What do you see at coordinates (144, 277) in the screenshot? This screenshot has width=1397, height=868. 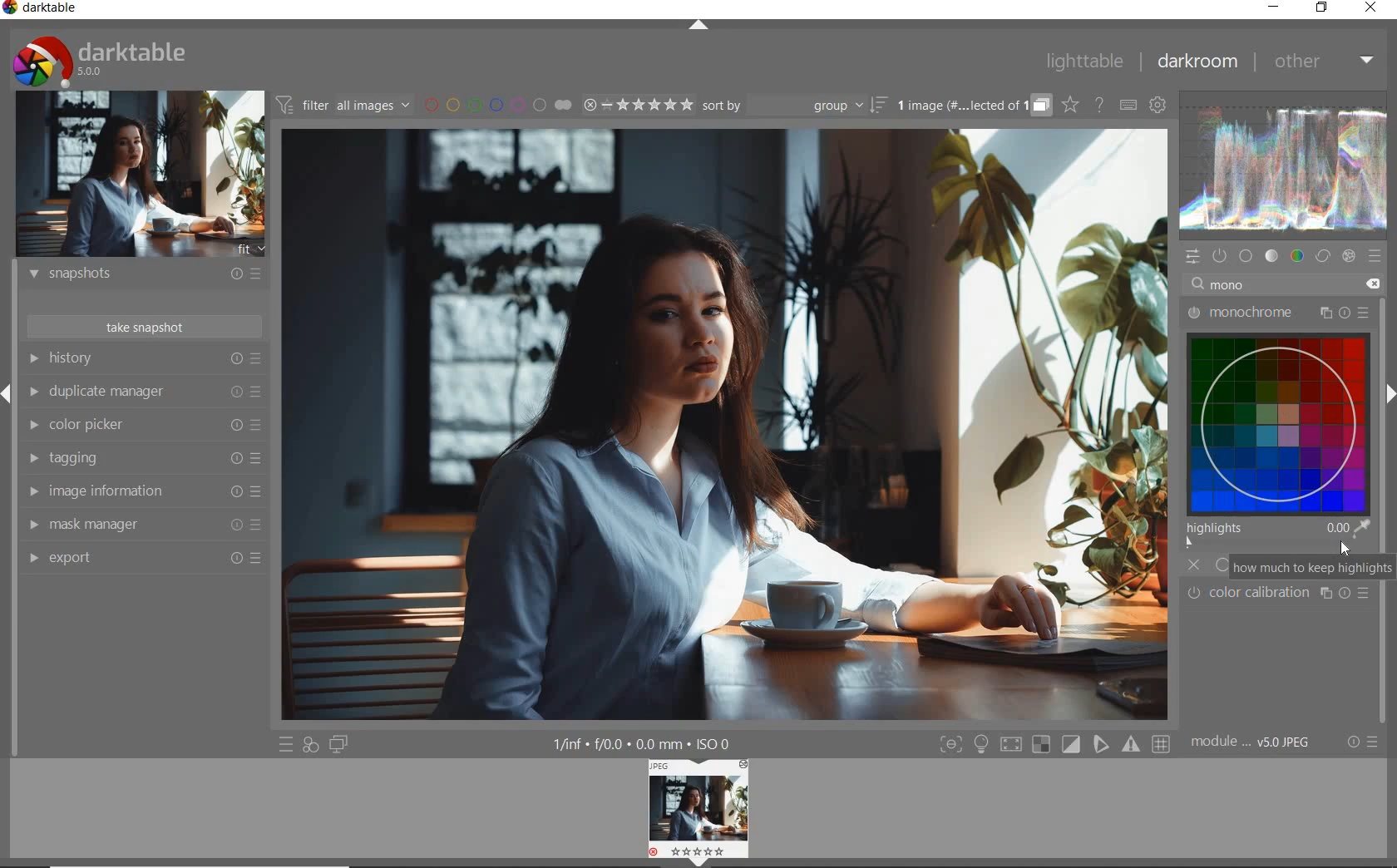 I see `snapshots` at bounding box center [144, 277].